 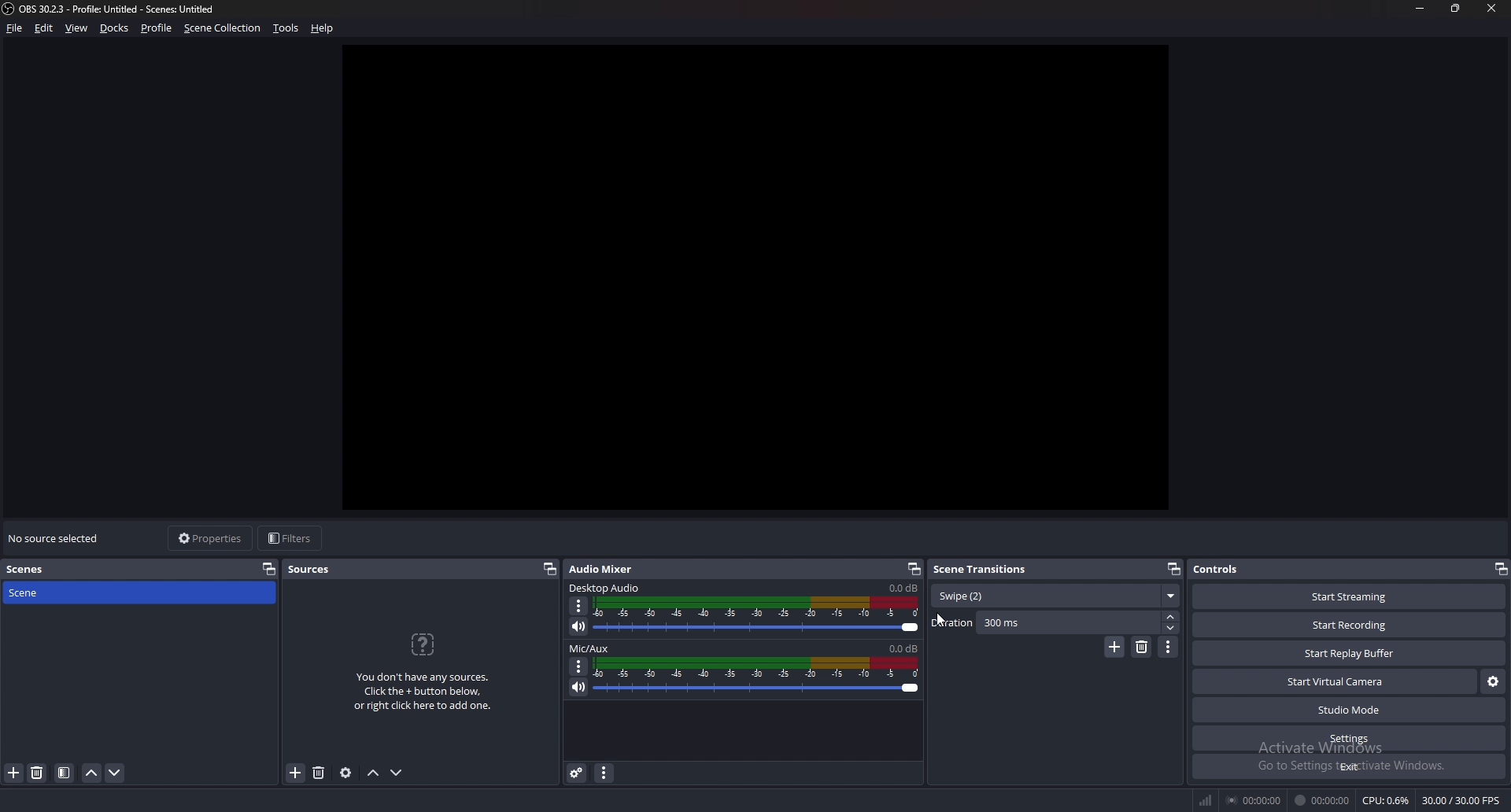 What do you see at coordinates (323, 28) in the screenshot?
I see `help` at bounding box center [323, 28].